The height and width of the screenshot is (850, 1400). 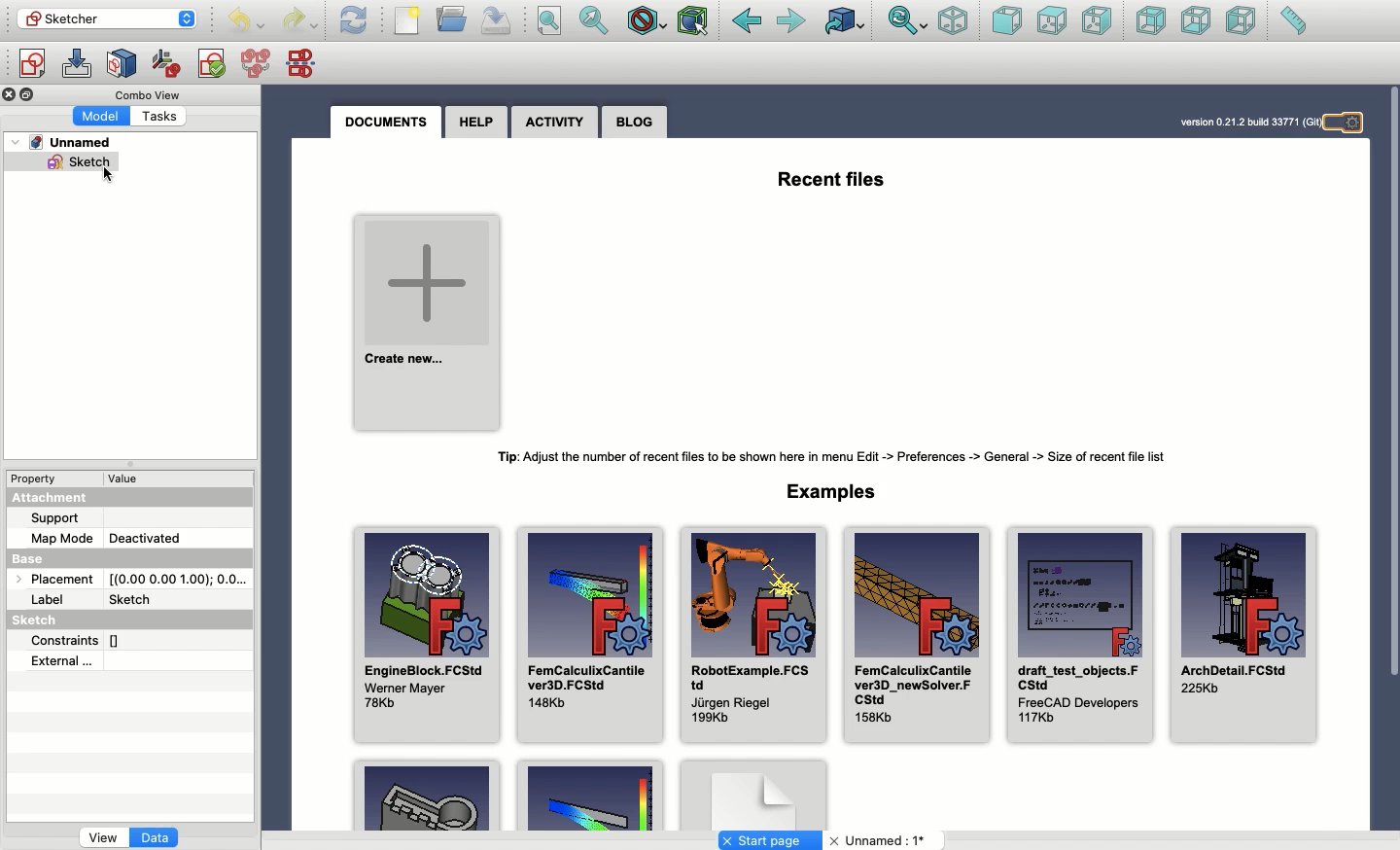 I want to click on Label, so click(x=51, y=600).